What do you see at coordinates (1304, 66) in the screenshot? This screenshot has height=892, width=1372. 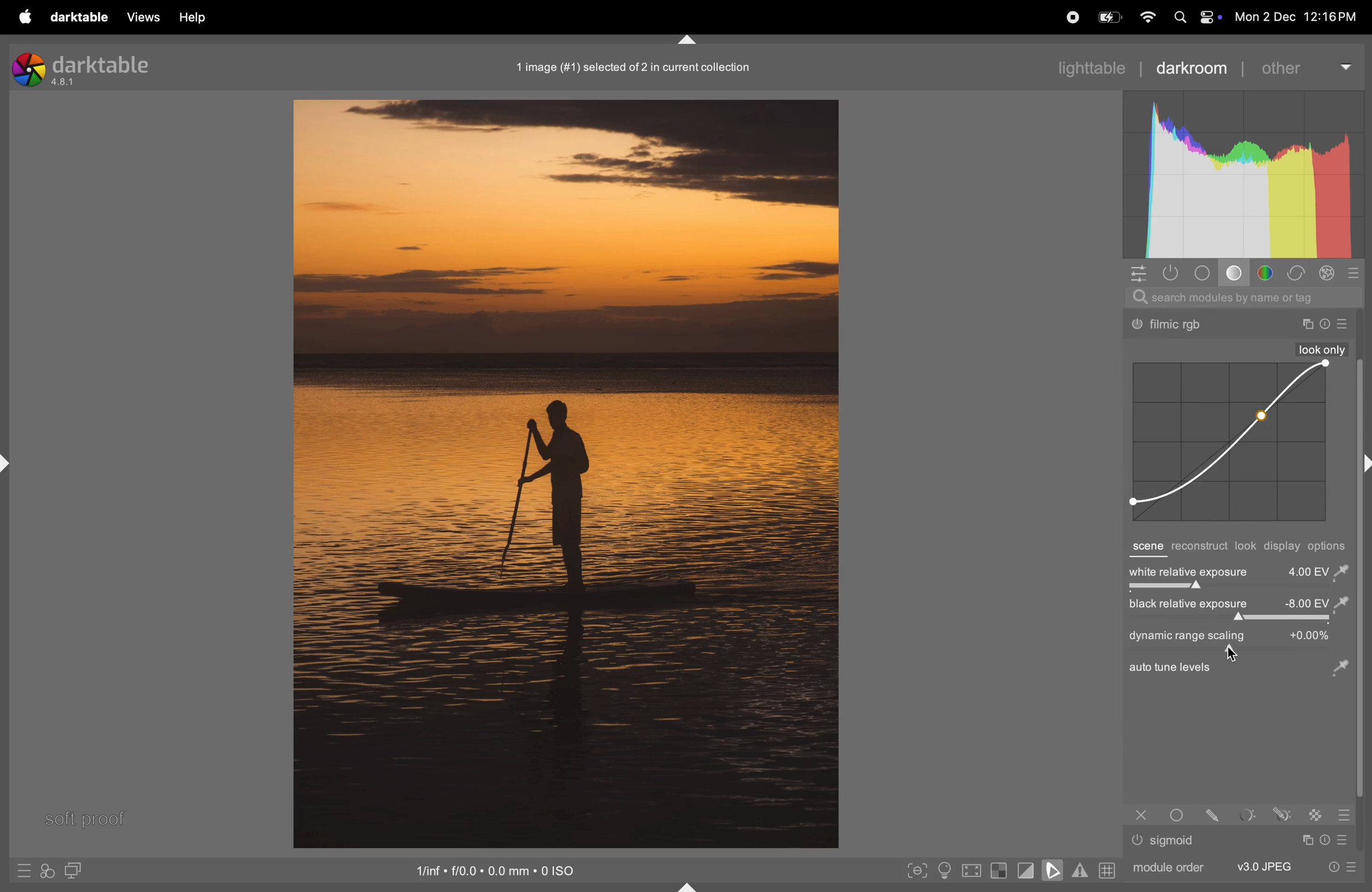 I see `other` at bounding box center [1304, 66].